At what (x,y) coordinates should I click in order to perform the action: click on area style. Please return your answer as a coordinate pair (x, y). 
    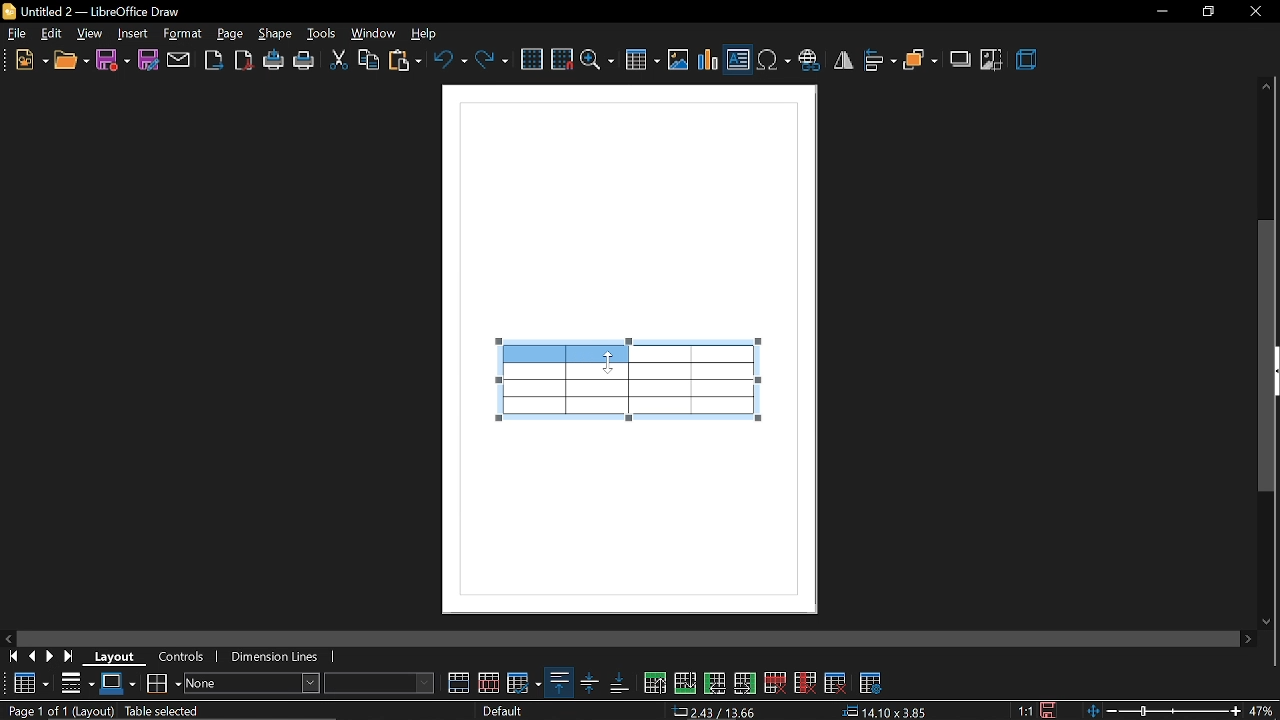
    Looking at the image, I should click on (253, 685).